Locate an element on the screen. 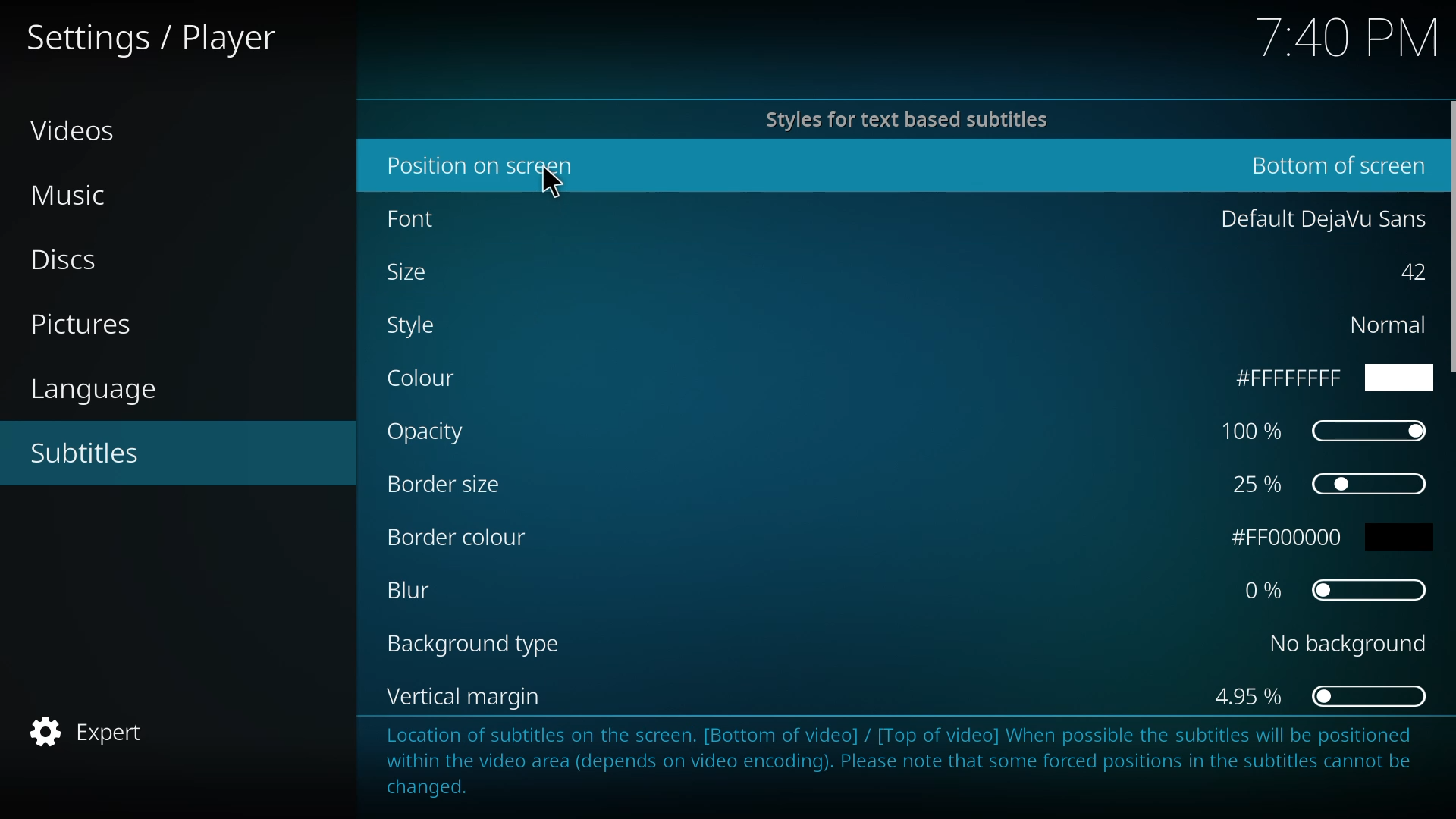 This screenshot has height=819, width=1456. scroll bar is located at coordinates (1454, 237).